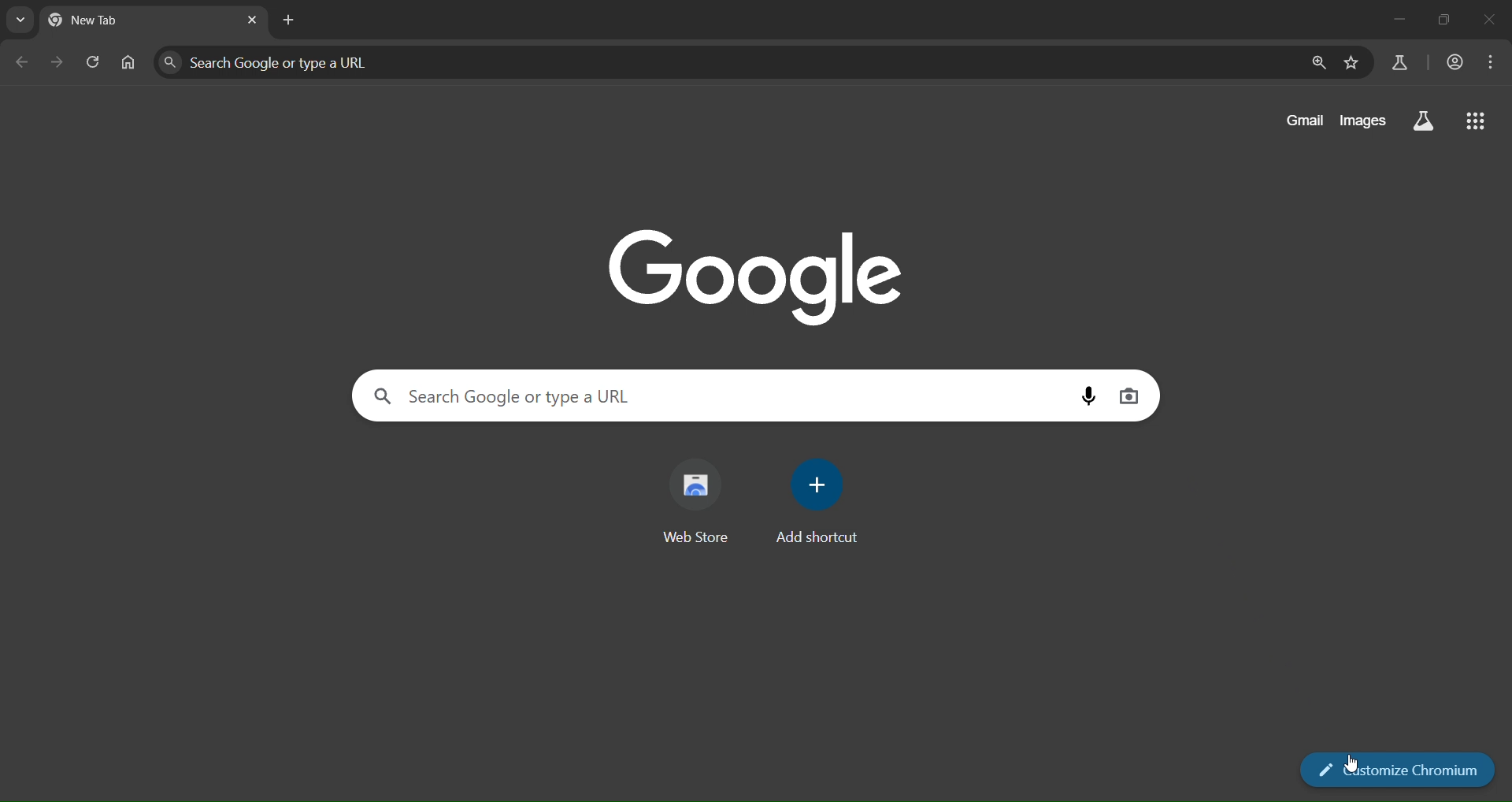 This screenshot has height=802, width=1512. What do you see at coordinates (1399, 769) in the screenshot?
I see `customize chromium` at bounding box center [1399, 769].